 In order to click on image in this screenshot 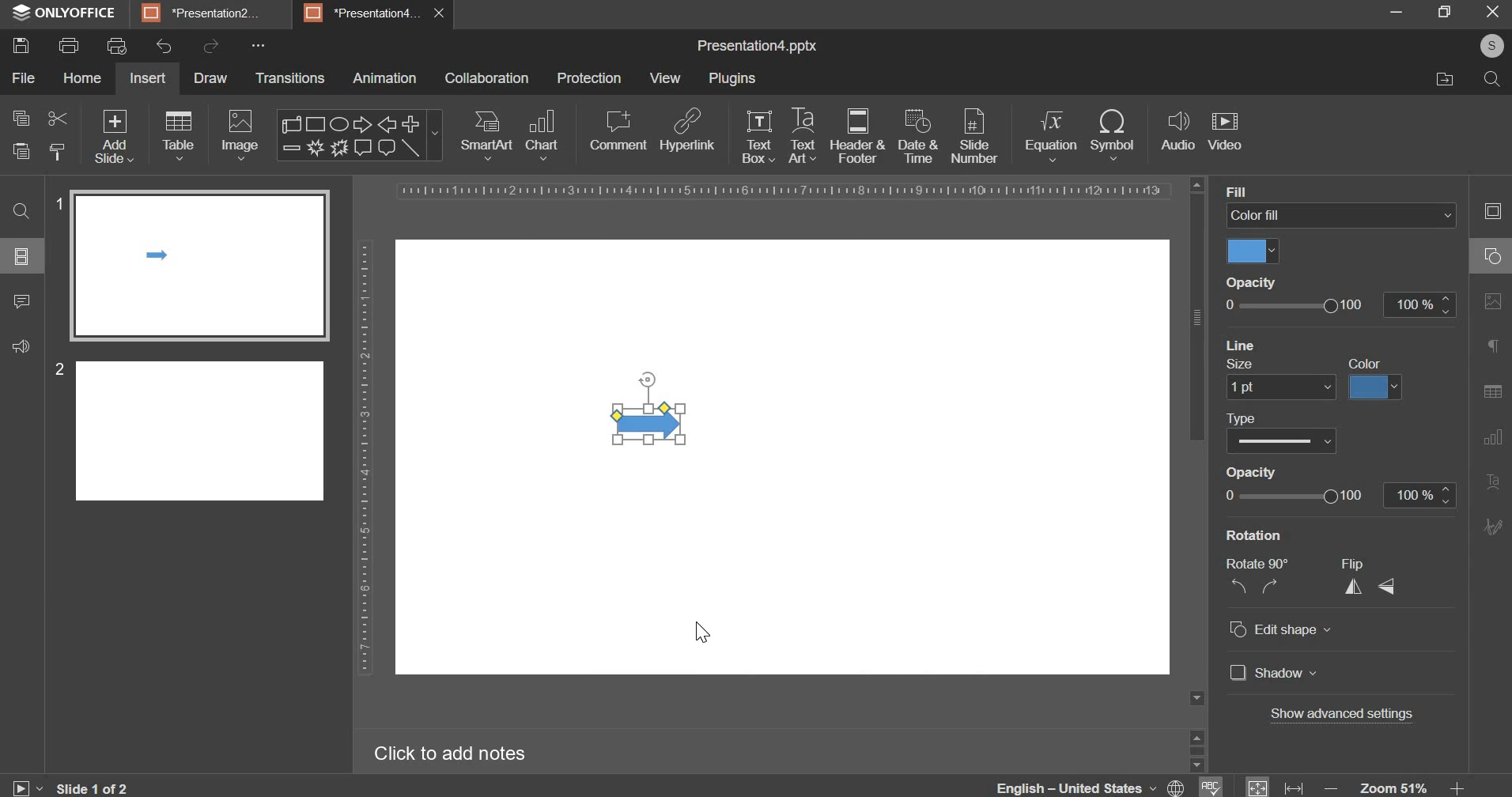, I will do `click(239, 135)`.